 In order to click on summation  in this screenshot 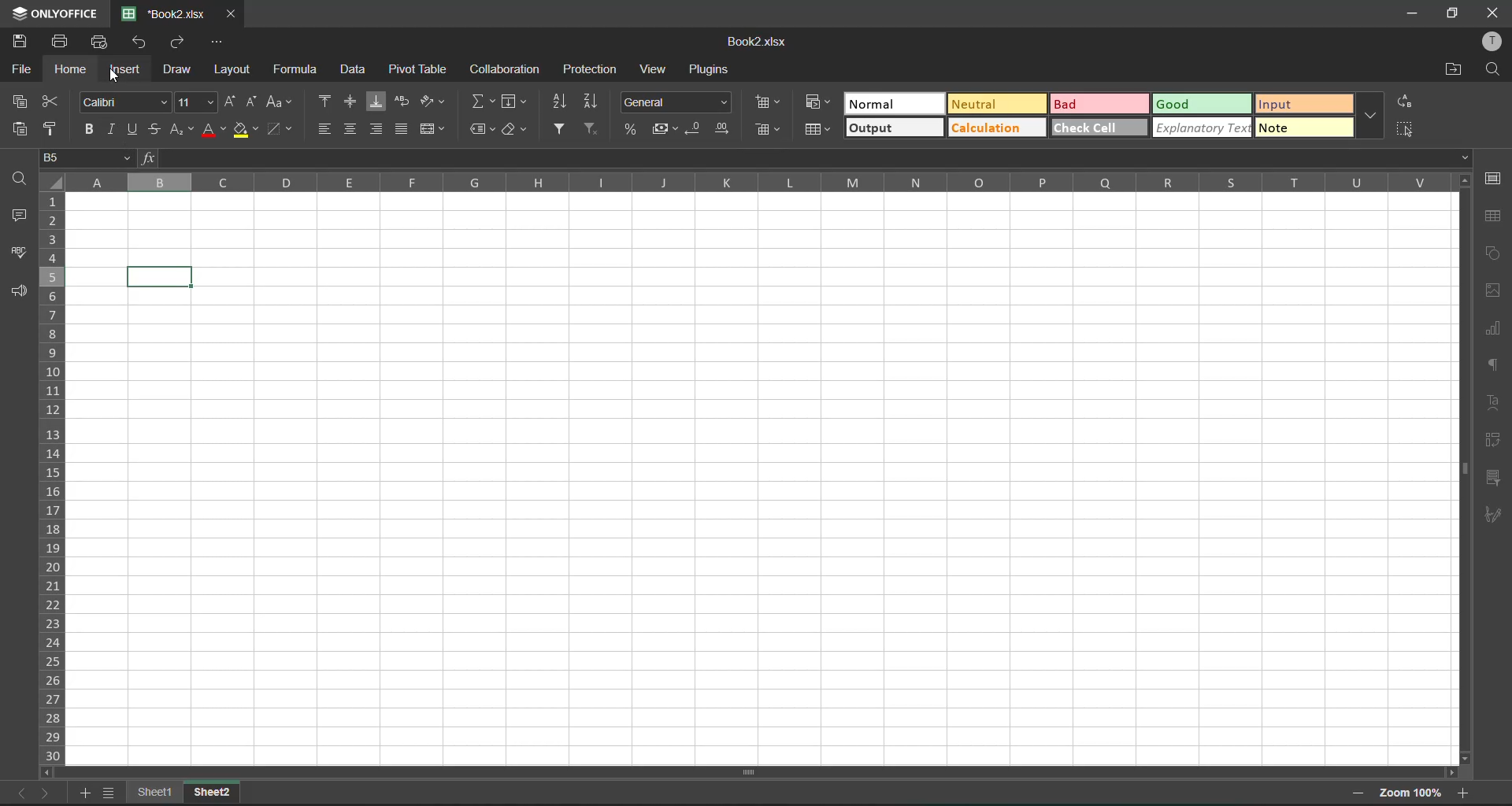, I will do `click(483, 100)`.